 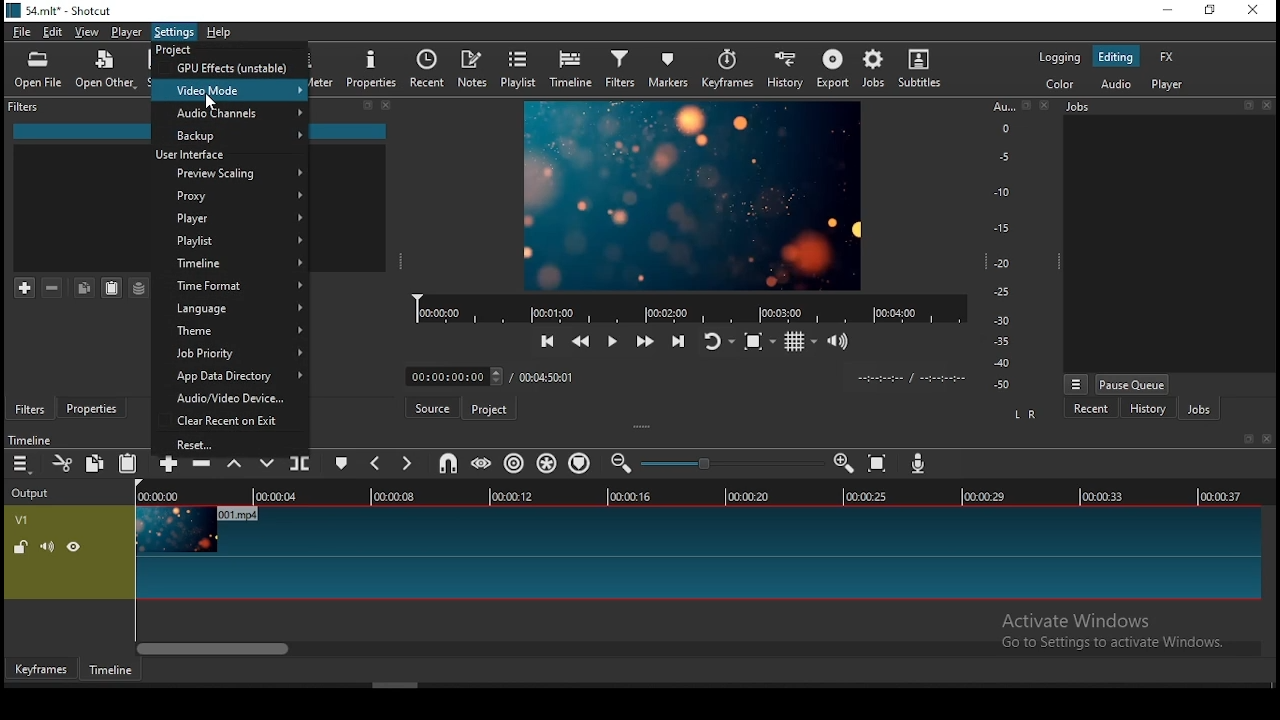 What do you see at coordinates (427, 69) in the screenshot?
I see `recent` at bounding box center [427, 69].